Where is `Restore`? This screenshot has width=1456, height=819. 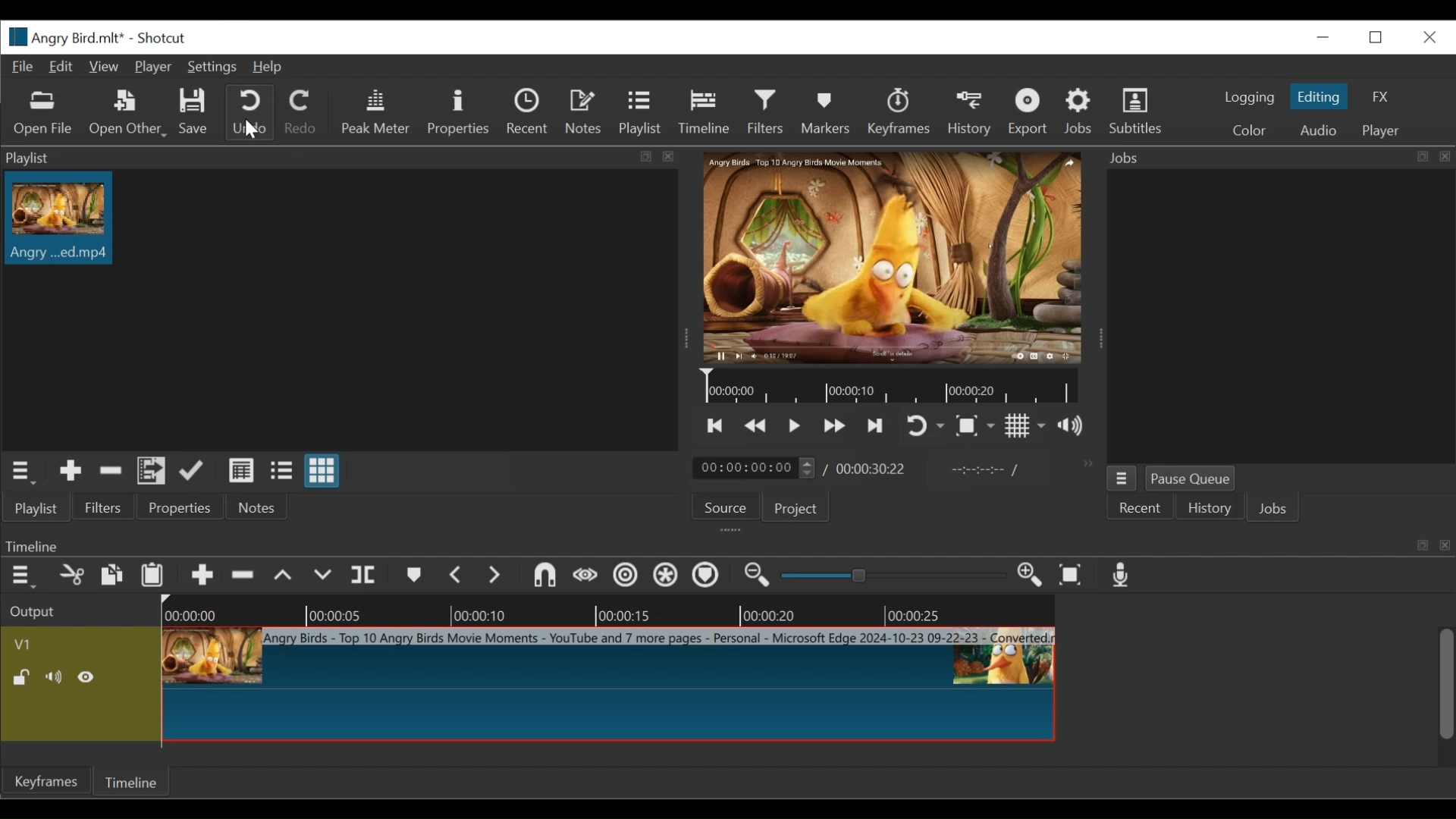 Restore is located at coordinates (1379, 37).